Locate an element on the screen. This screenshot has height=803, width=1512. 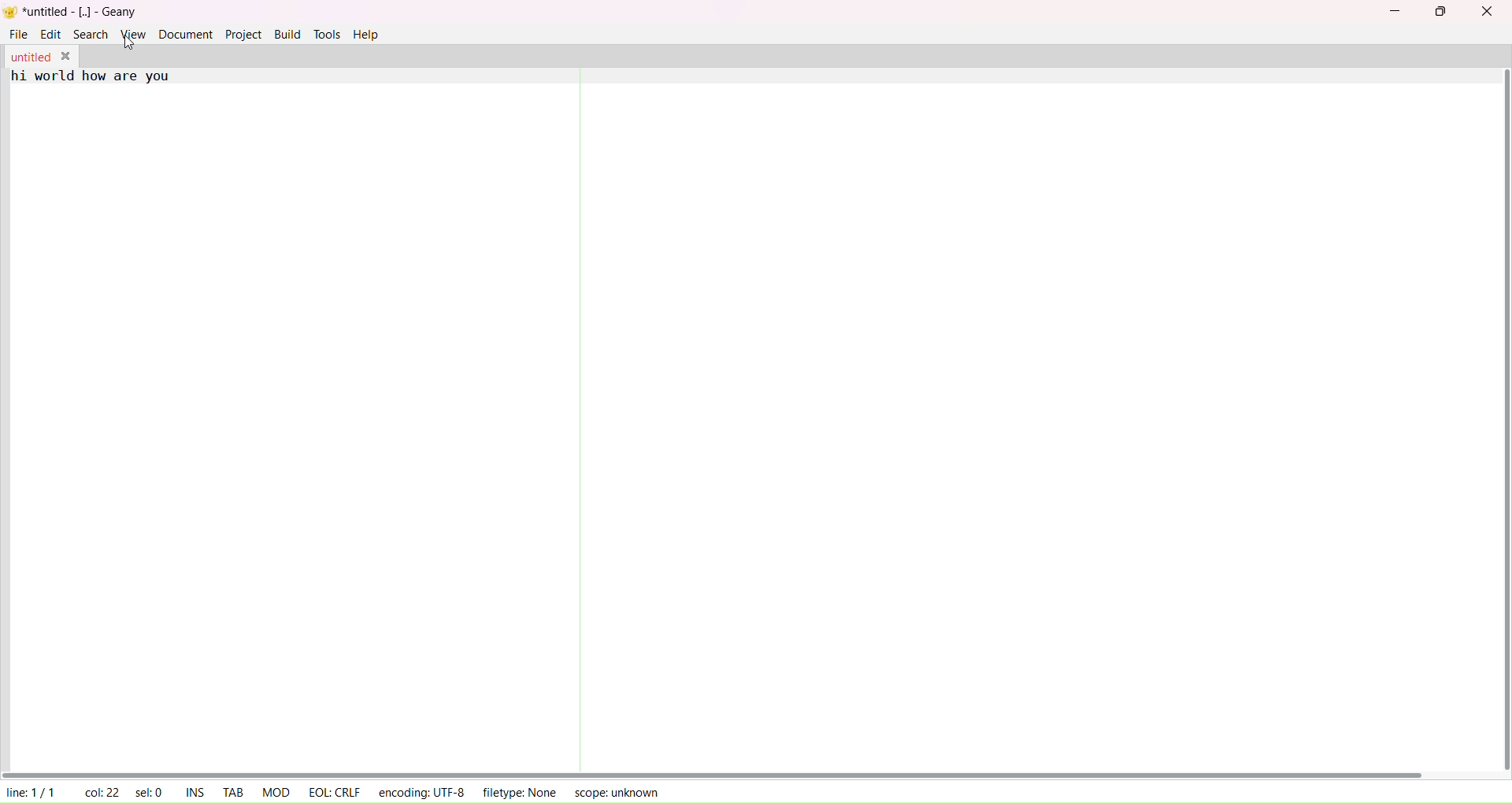
close is located at coordinates (1484, 12).